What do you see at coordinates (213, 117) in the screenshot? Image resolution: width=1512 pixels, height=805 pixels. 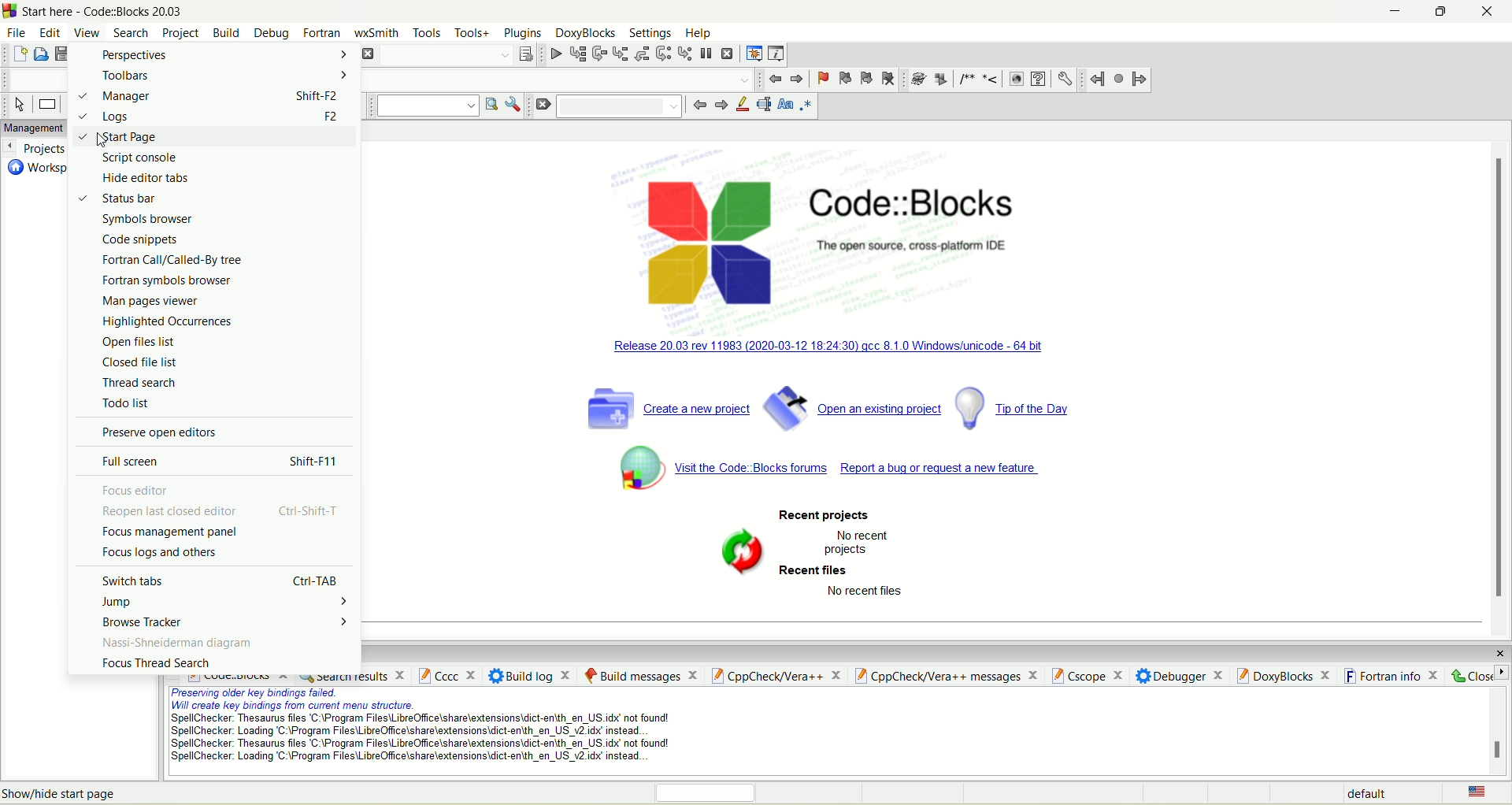 I see `logs` at bounding box center [213, 117].